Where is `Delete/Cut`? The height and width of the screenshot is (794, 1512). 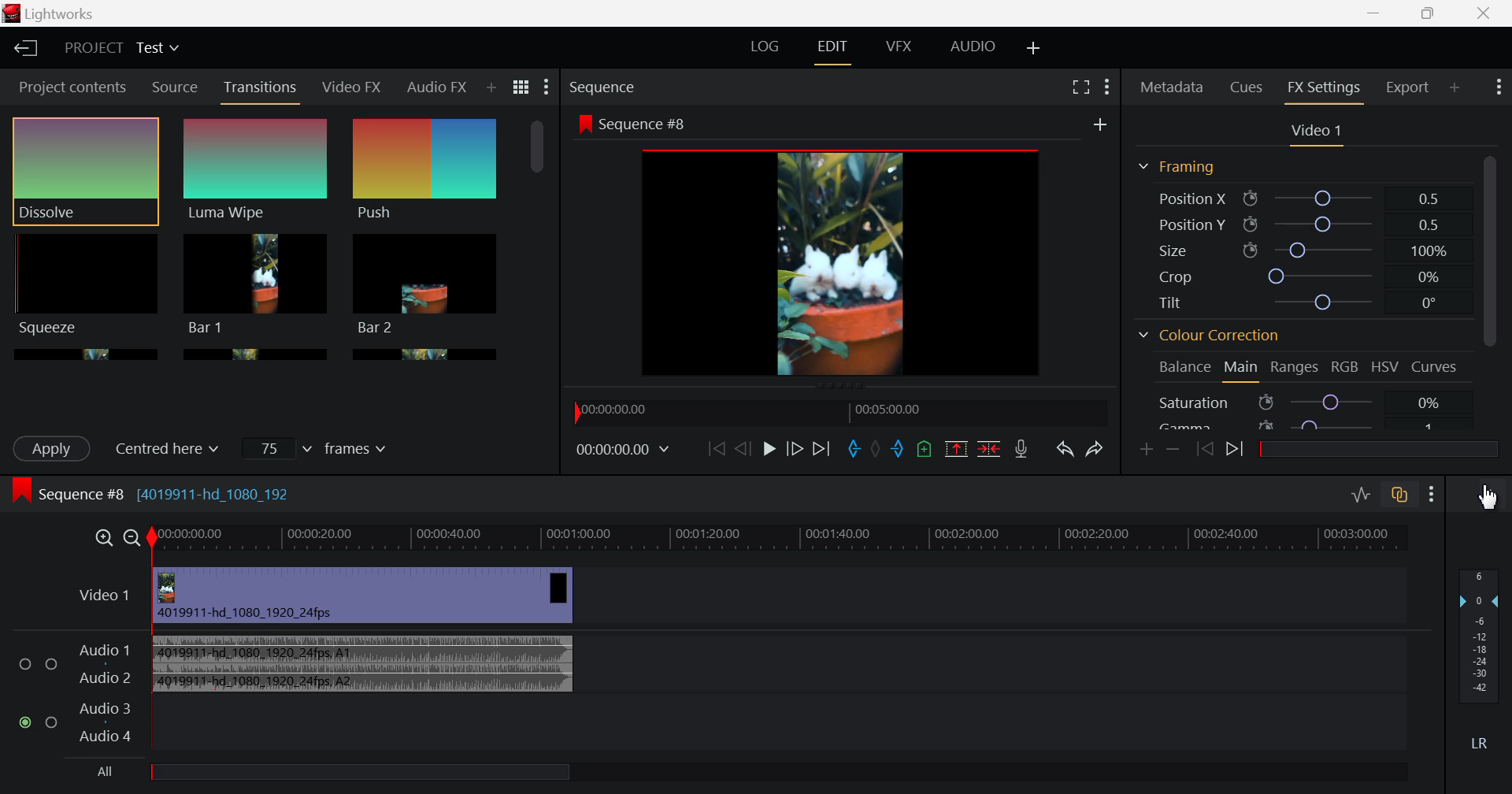 Delete/Cut is located at coordinates (991, 448).